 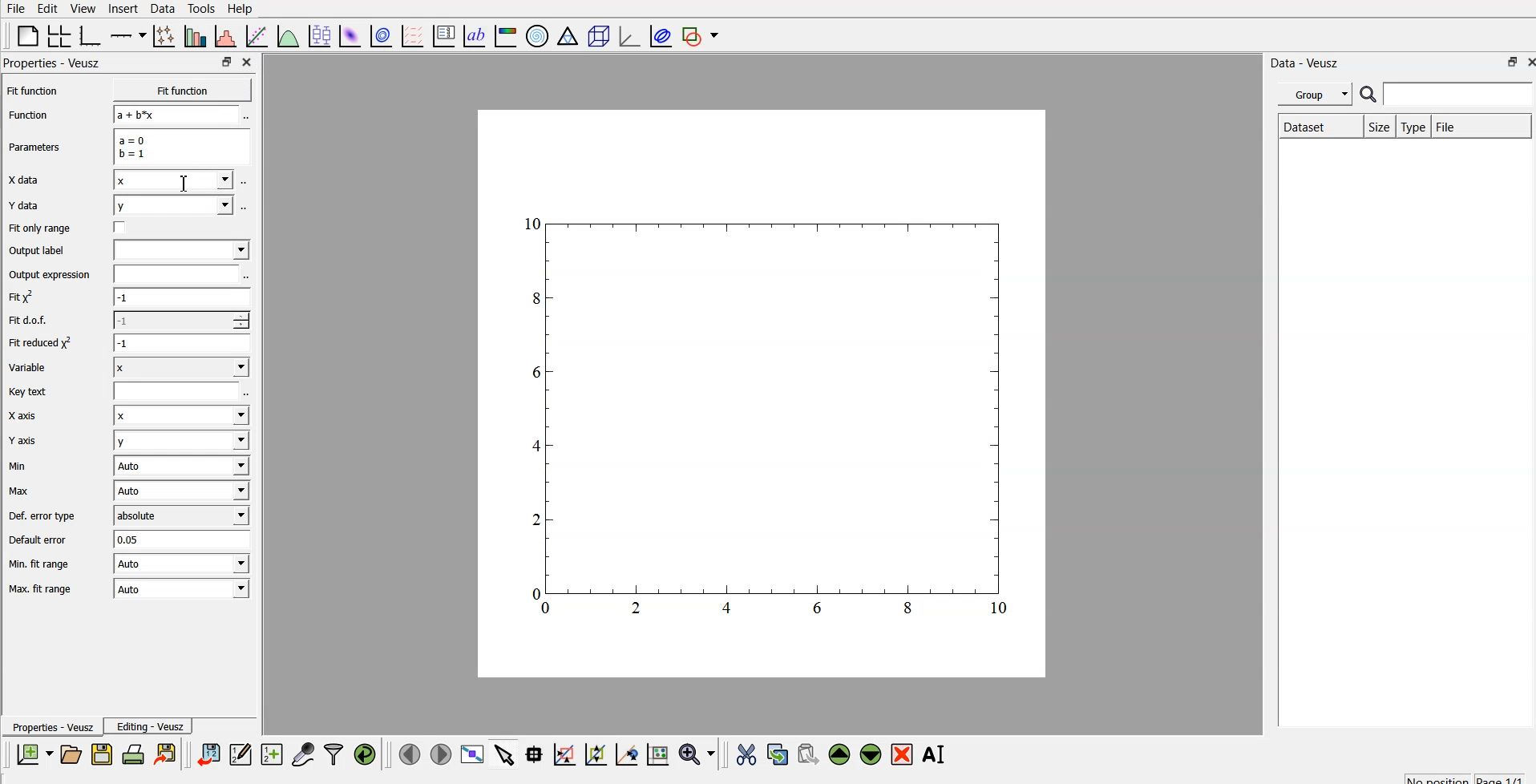 What do you see at coordinates (38, 516) in the screenshot?
I see `Def. error type` at bounding box center [38, 516].